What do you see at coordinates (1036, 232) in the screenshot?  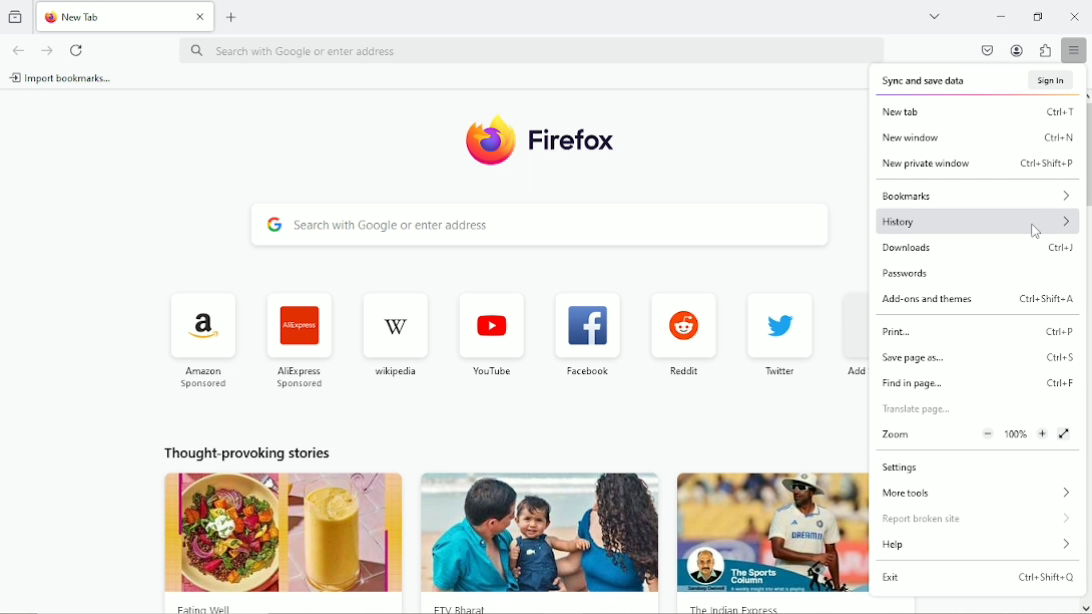 I see `cursor` at bounding box center [1036, 232].